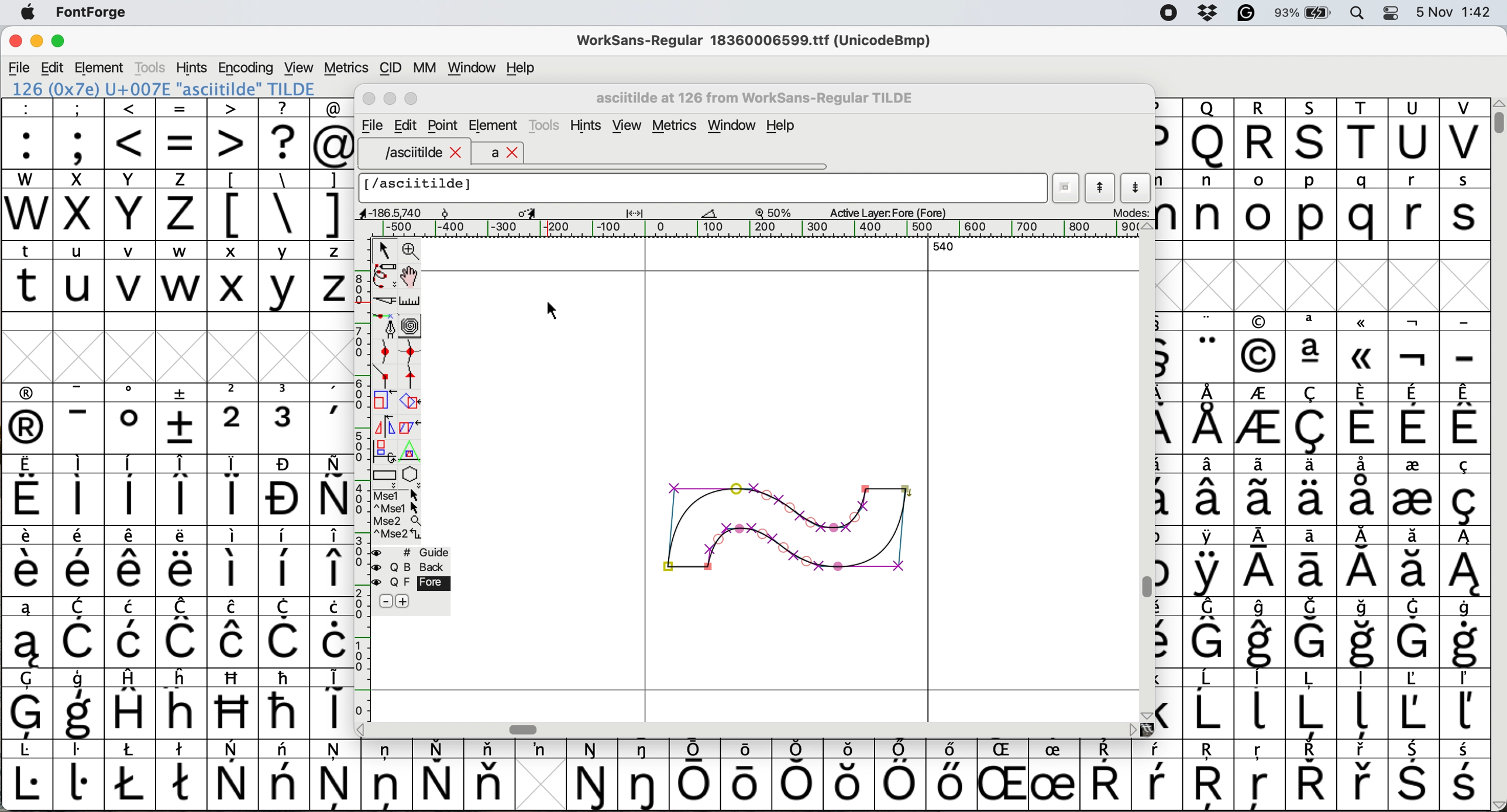  Describe the element at coordinates (412, 583) in the screenshot. I see `fore` at that location.